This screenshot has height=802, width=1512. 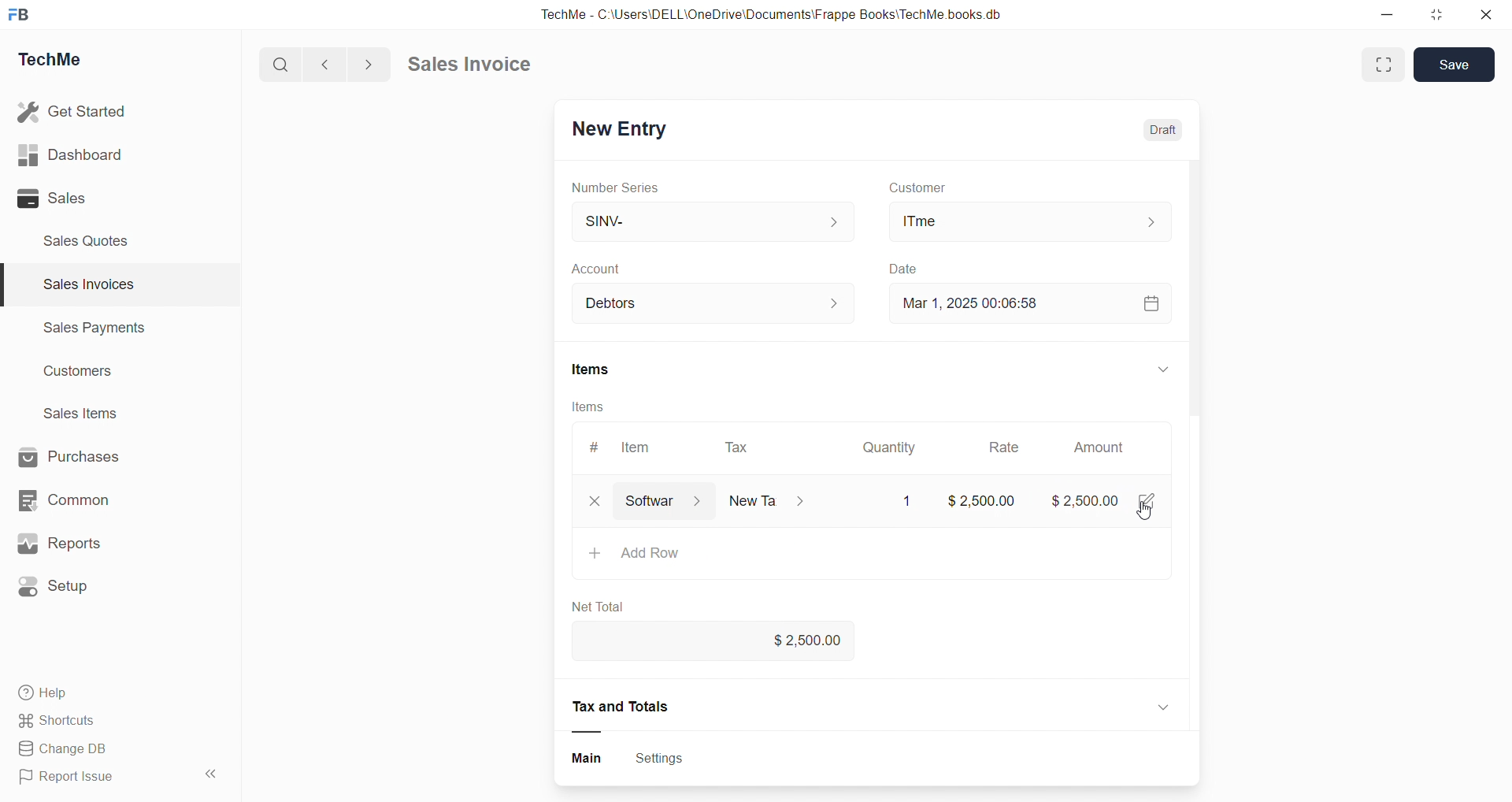 What do you see at coordinates (844, 304) in the screenshot?
I see `Increase decrease button` at bounding box center [844, 304].